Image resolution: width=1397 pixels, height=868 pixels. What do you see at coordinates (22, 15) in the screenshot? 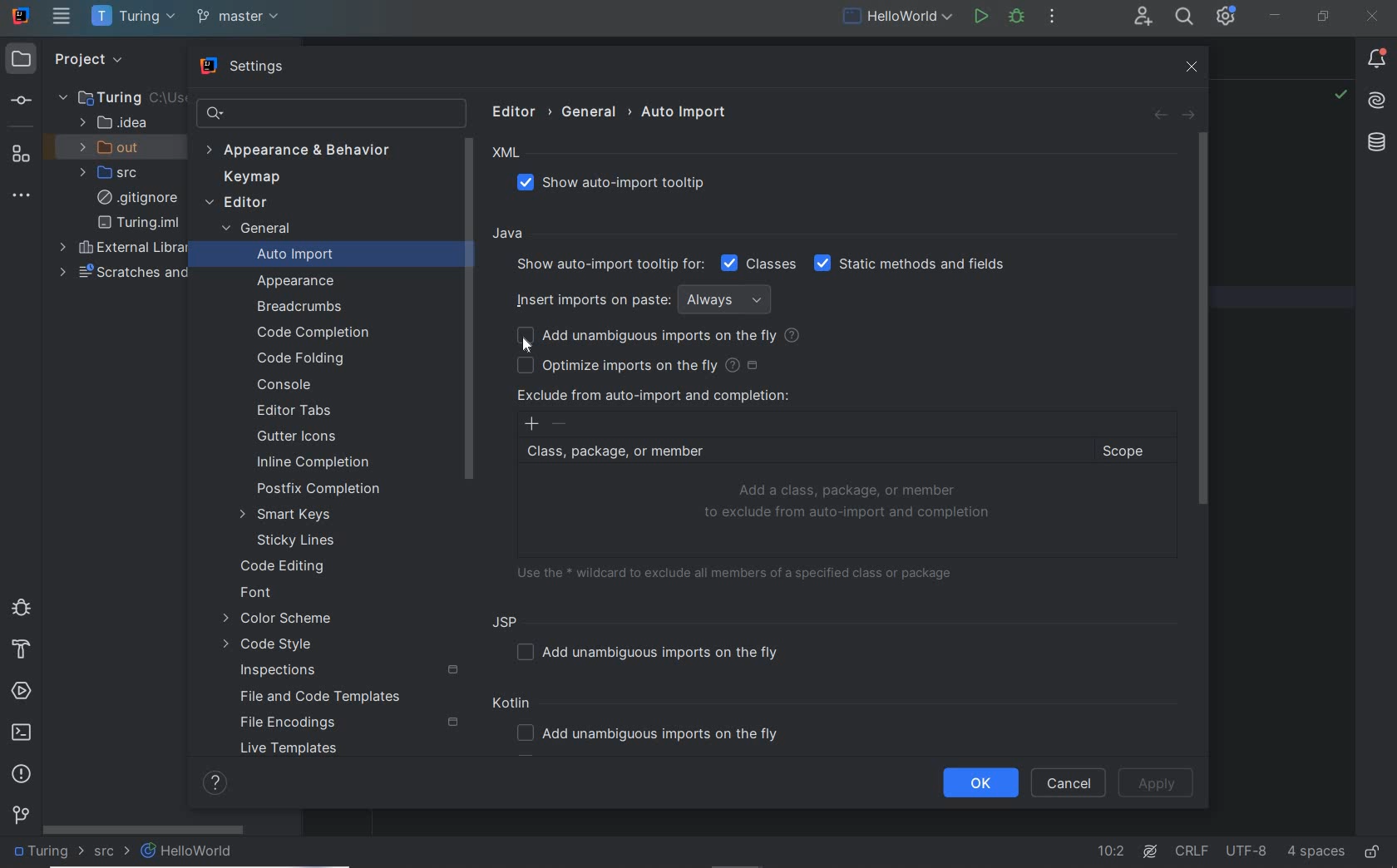
I see `Application logo` at bounding box center [22, 15].